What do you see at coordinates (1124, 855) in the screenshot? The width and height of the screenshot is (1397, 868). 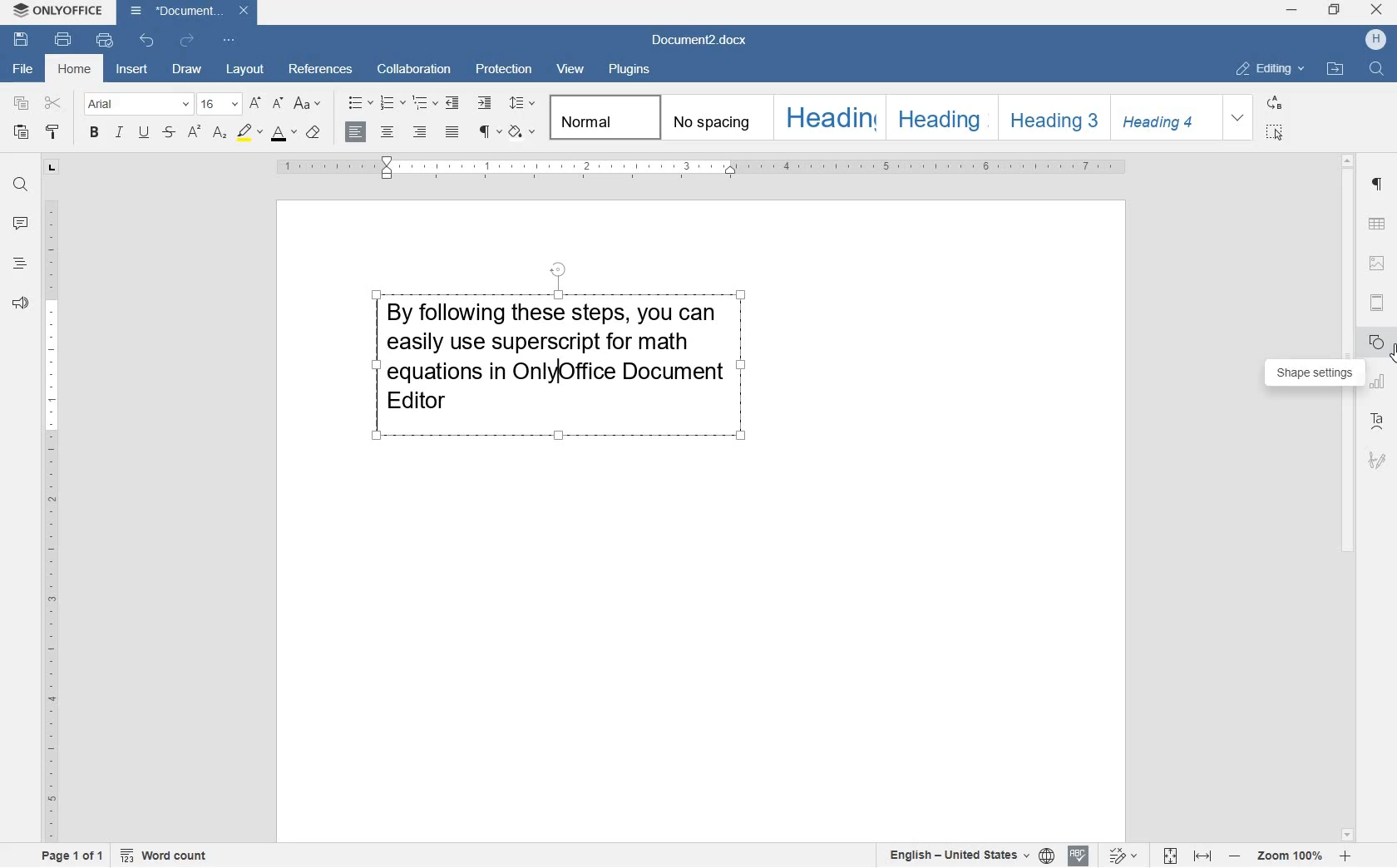 I see `track changes` at bounding box center [1124, 855].